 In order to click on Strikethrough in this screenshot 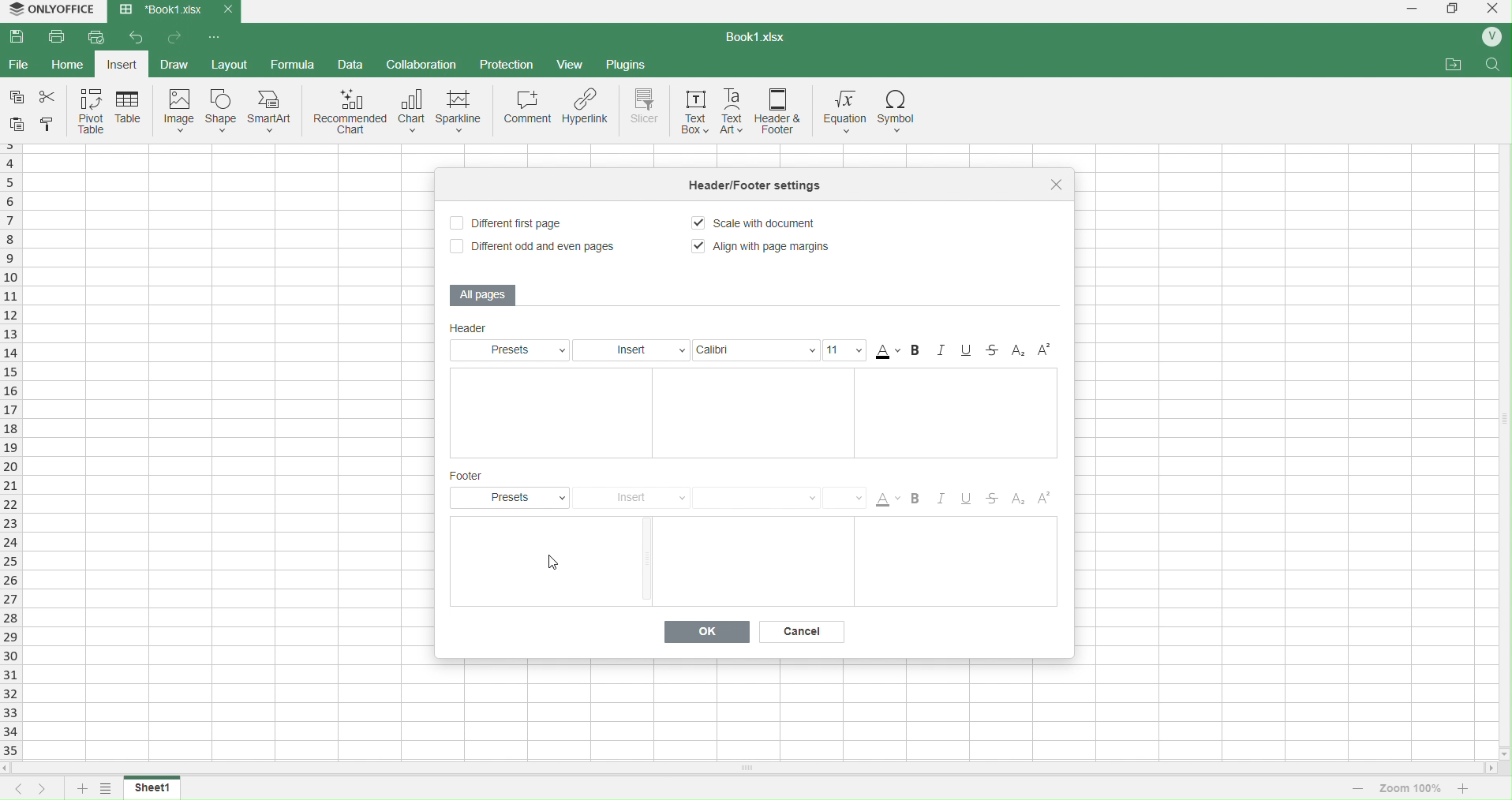, I will do `click(995, 499)`.